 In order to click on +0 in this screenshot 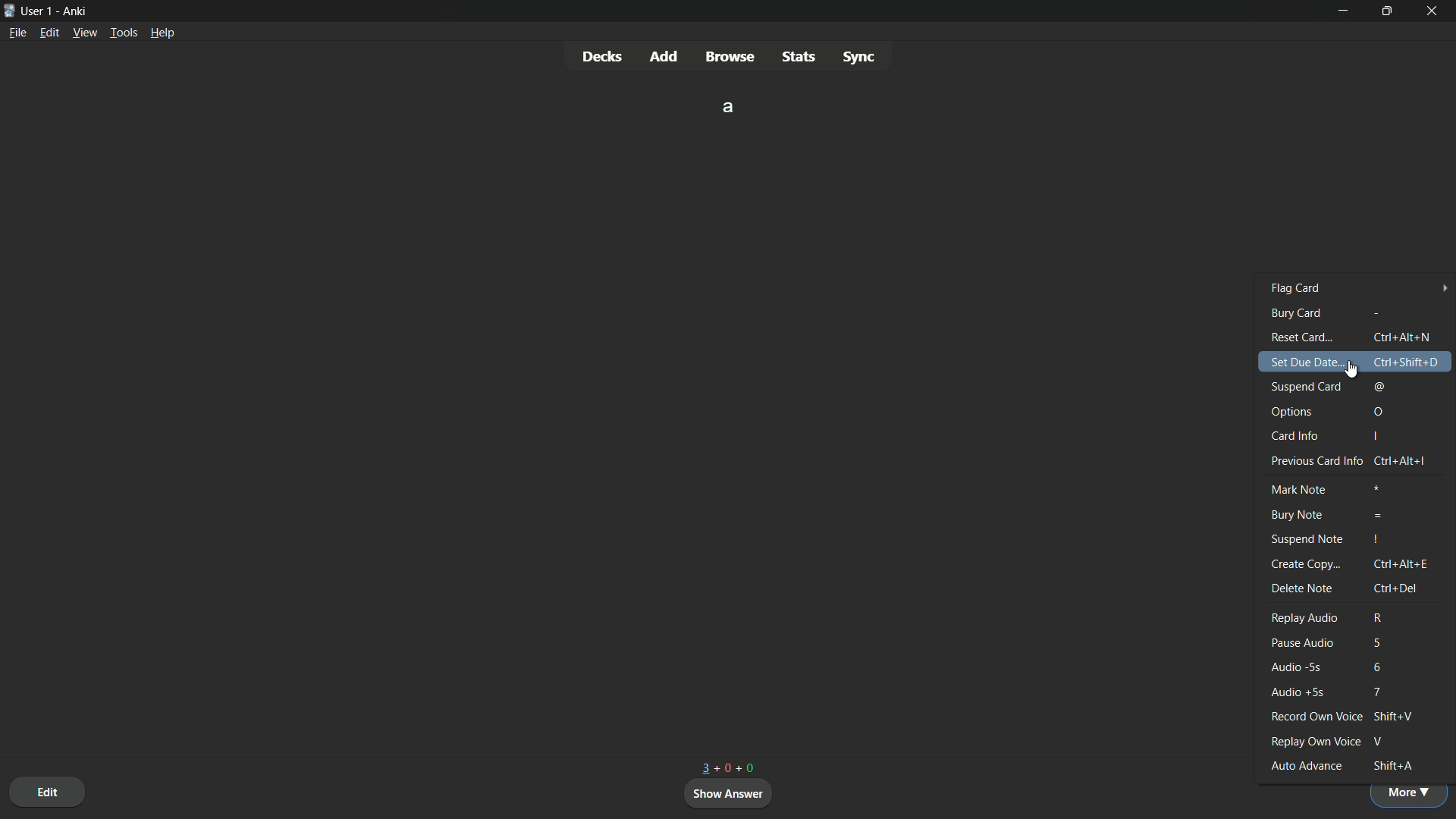, I will do `click(723, 767)`.